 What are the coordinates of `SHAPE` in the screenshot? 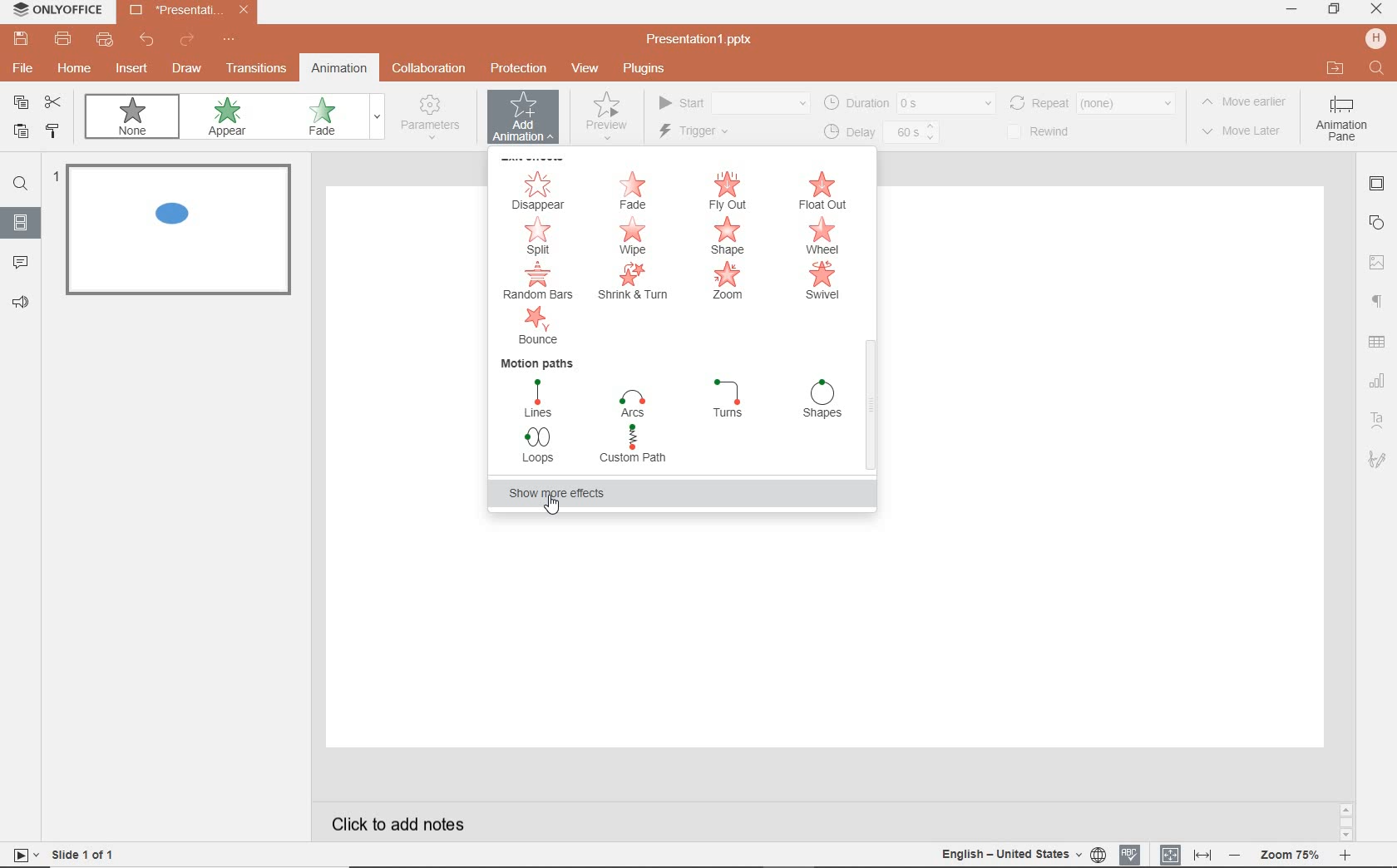 It's located at (729, 236).